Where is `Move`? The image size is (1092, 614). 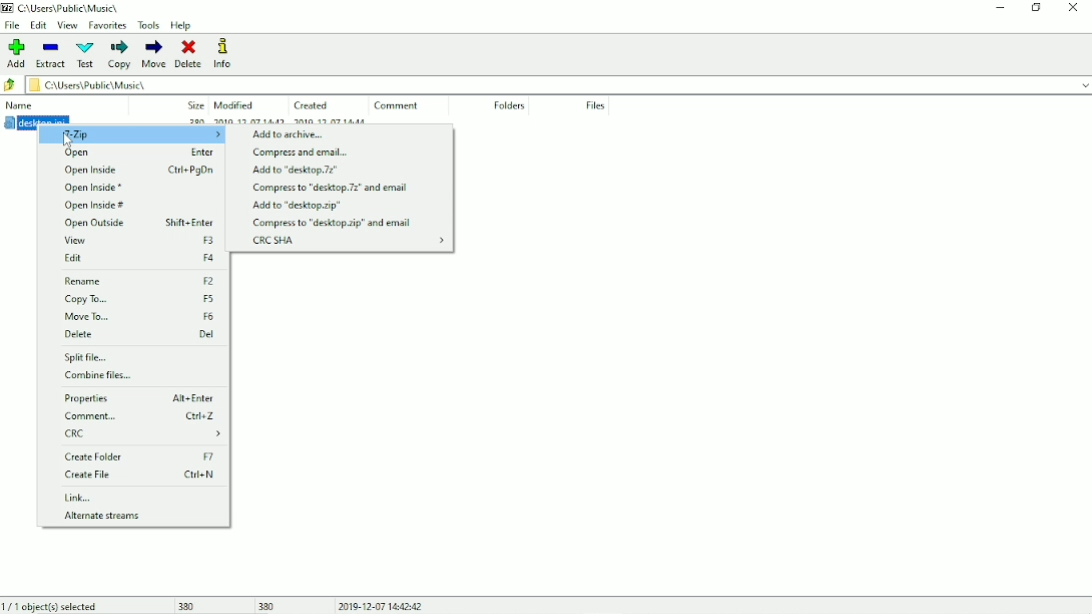 Move is located at coordinates (155, 54).